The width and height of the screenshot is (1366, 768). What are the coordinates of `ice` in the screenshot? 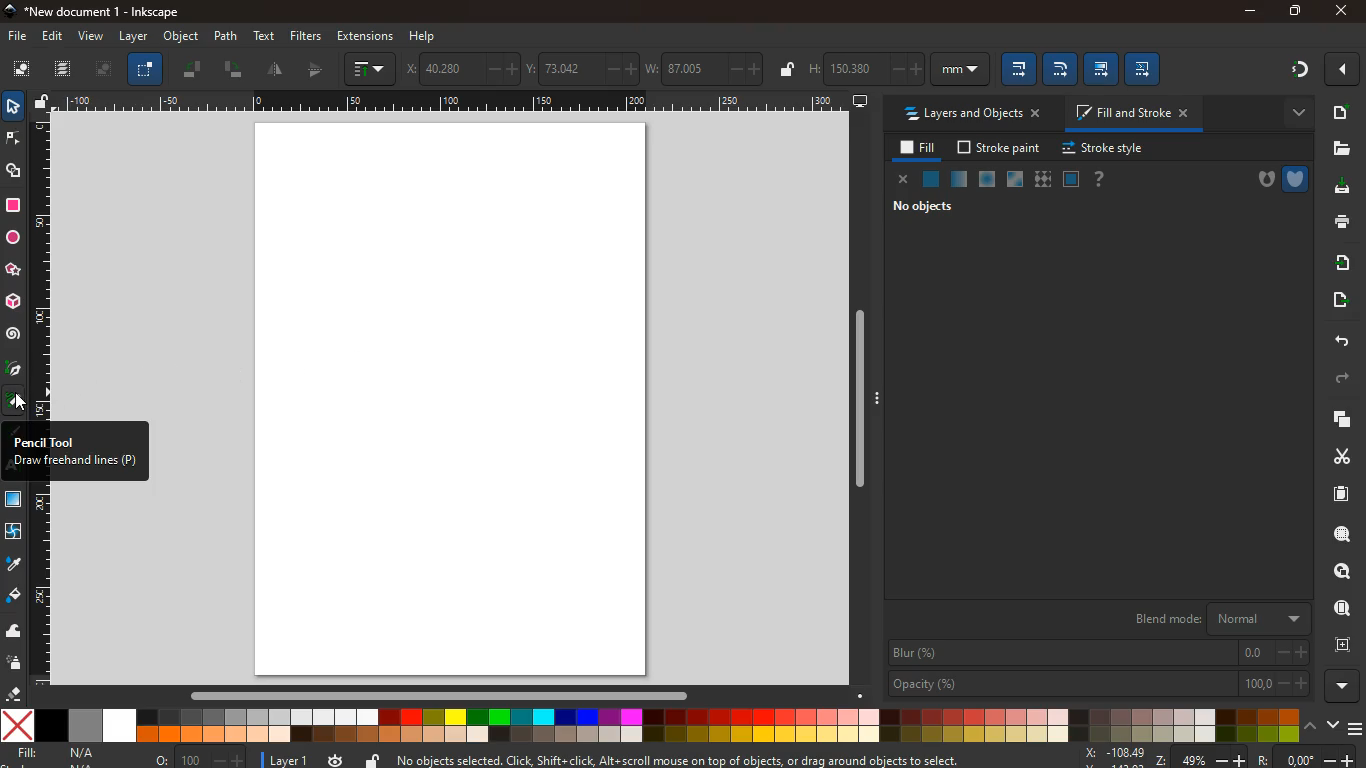 It's located at (989, 180).